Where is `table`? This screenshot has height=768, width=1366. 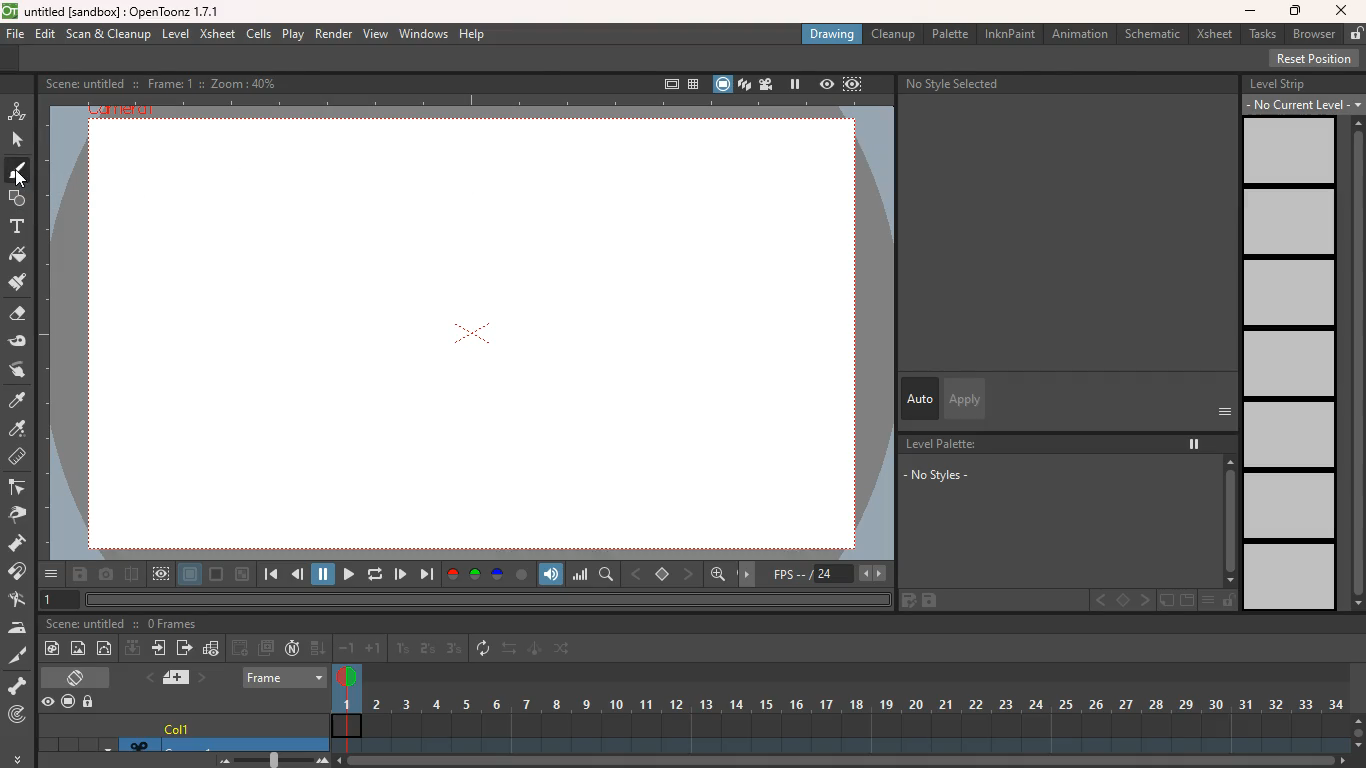 table is located at coordinates (692, 83).